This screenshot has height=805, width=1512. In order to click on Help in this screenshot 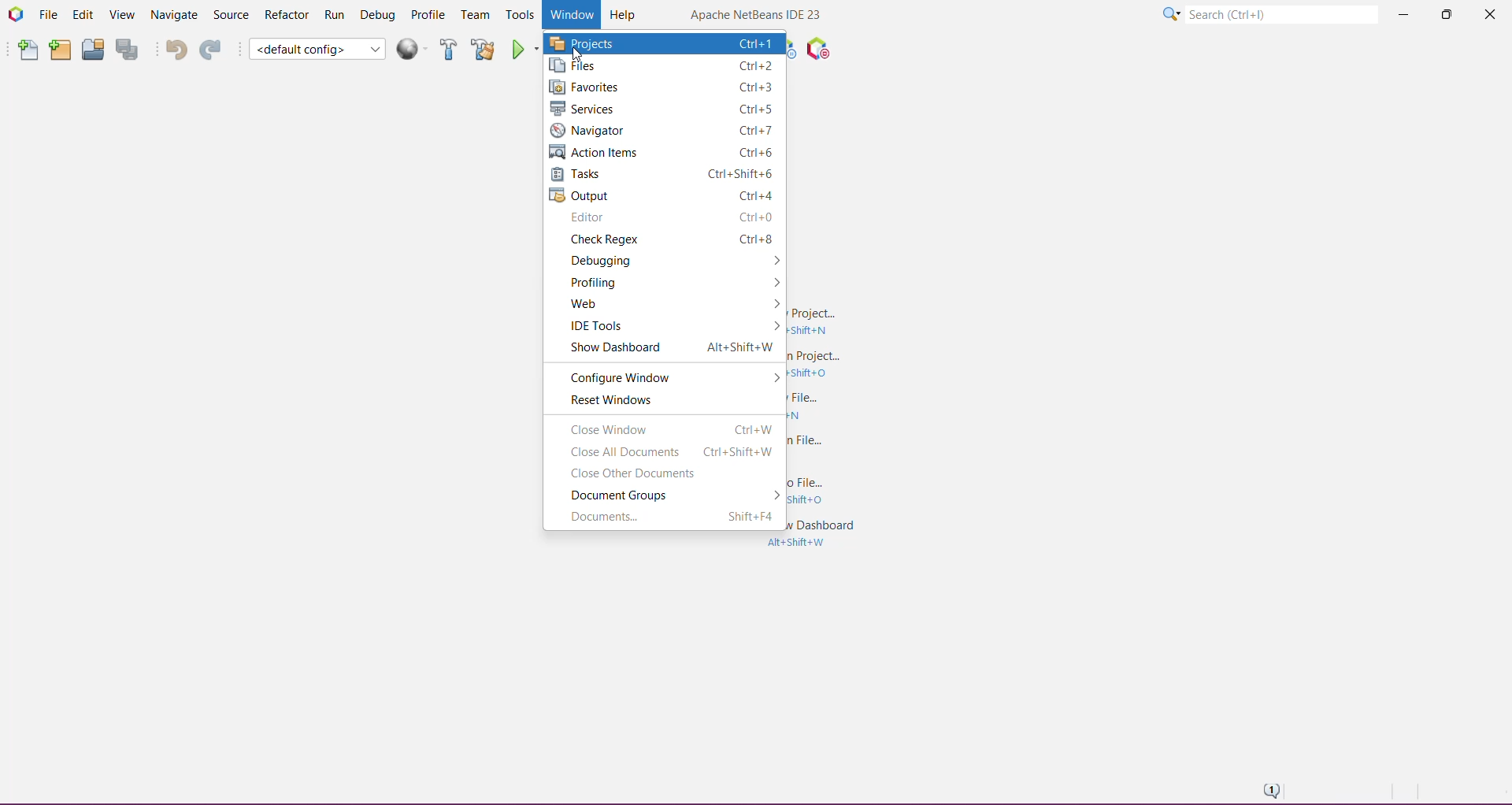, I will do `click(624, 13)`.